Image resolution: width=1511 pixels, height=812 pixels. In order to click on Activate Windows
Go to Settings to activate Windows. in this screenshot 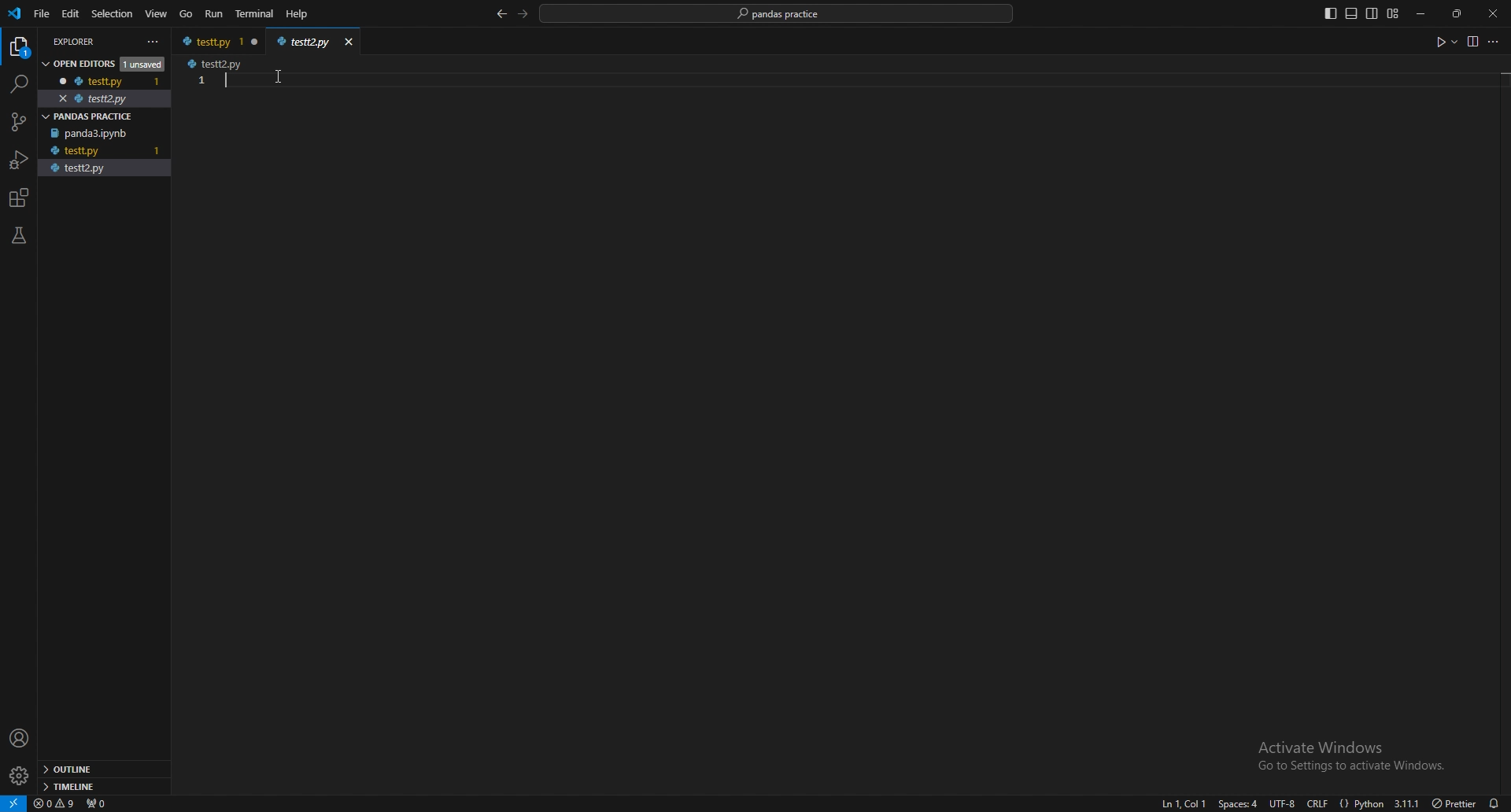, I will do `click(1346, 755)`.